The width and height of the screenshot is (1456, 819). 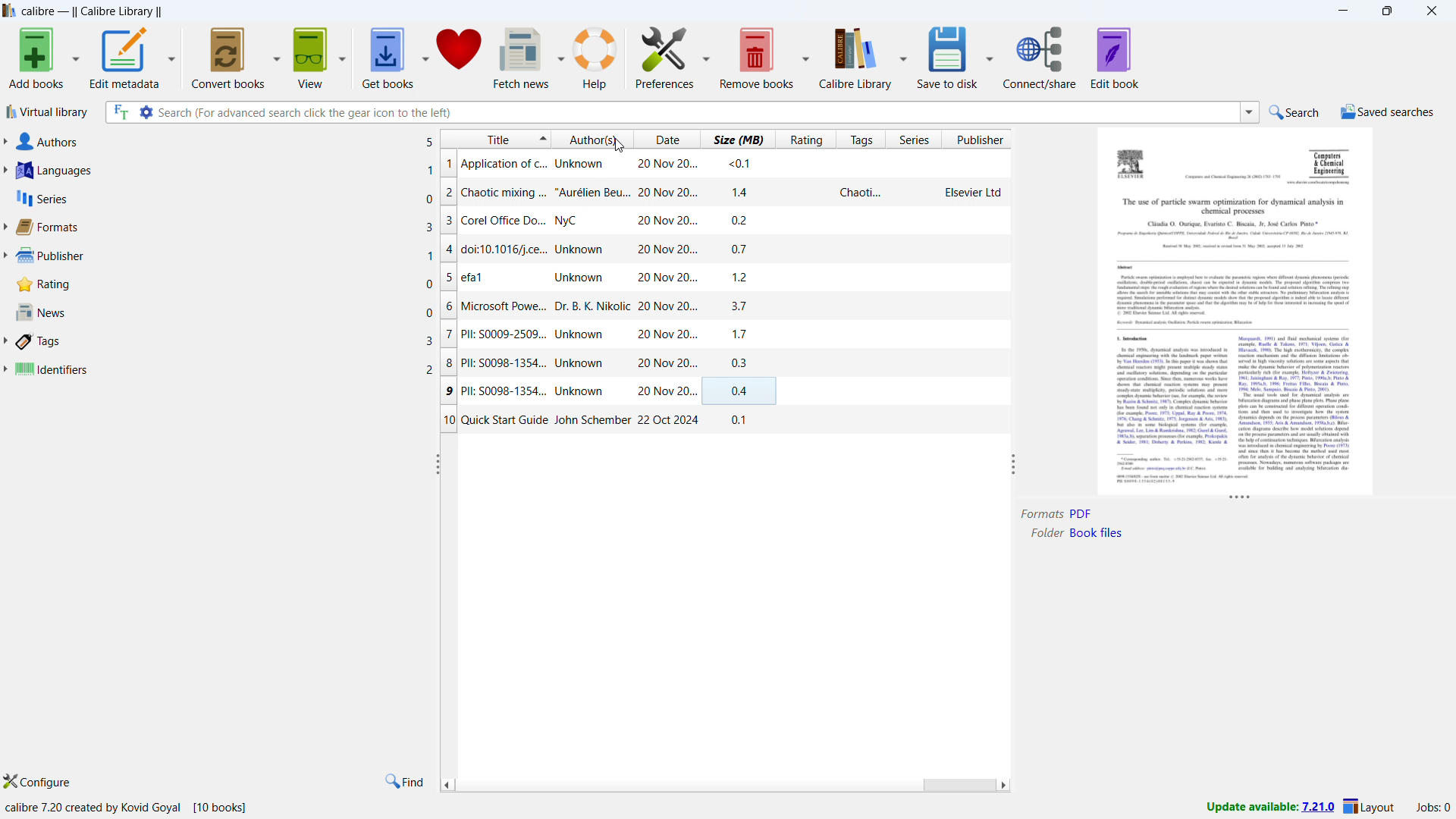 What do you see at coordinates (447, 246) in the screenshot?
I see `4` at bounding box center [447, 246].